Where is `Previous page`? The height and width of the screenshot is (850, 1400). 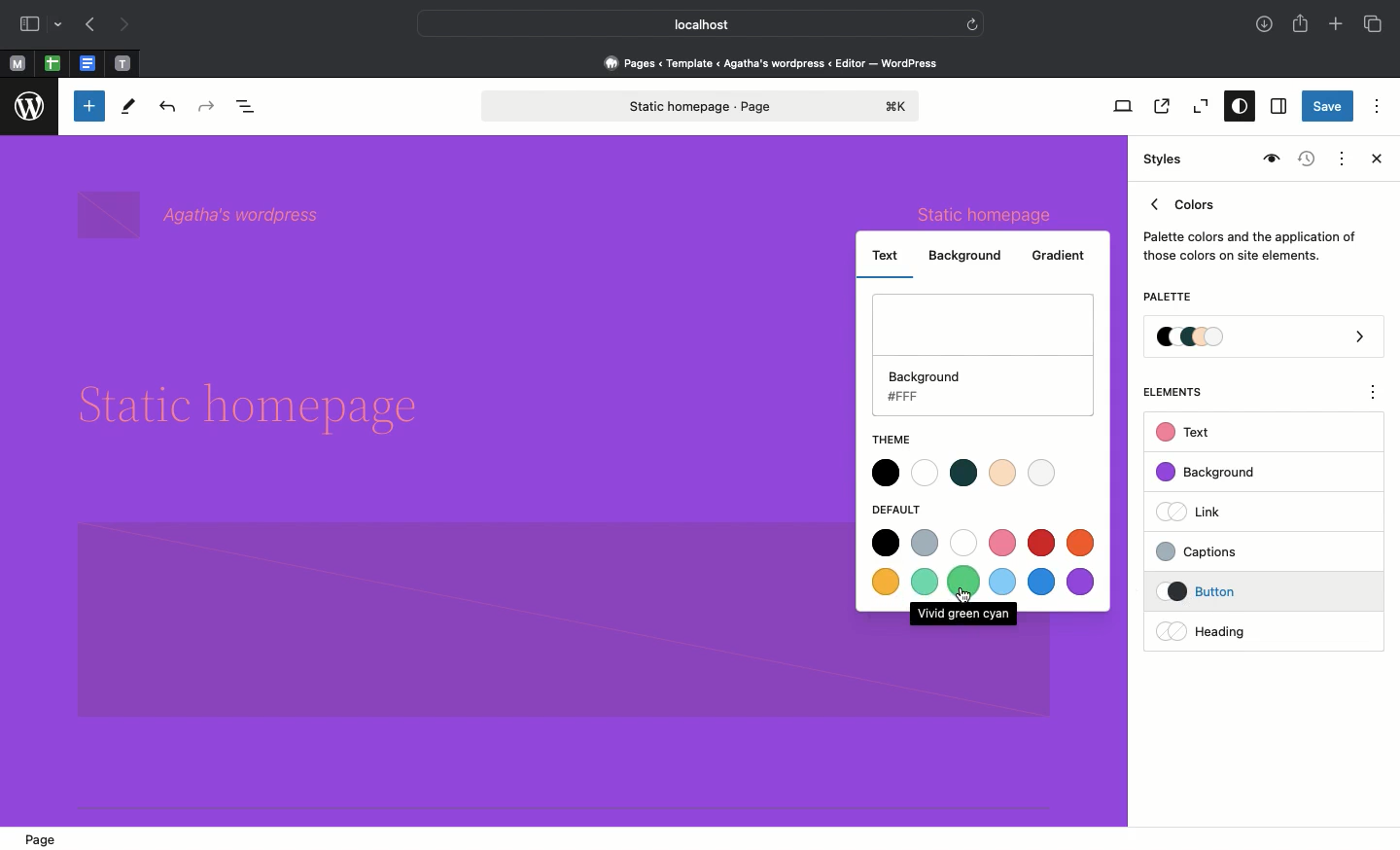 Previous page is located at coordinates (88, 26).